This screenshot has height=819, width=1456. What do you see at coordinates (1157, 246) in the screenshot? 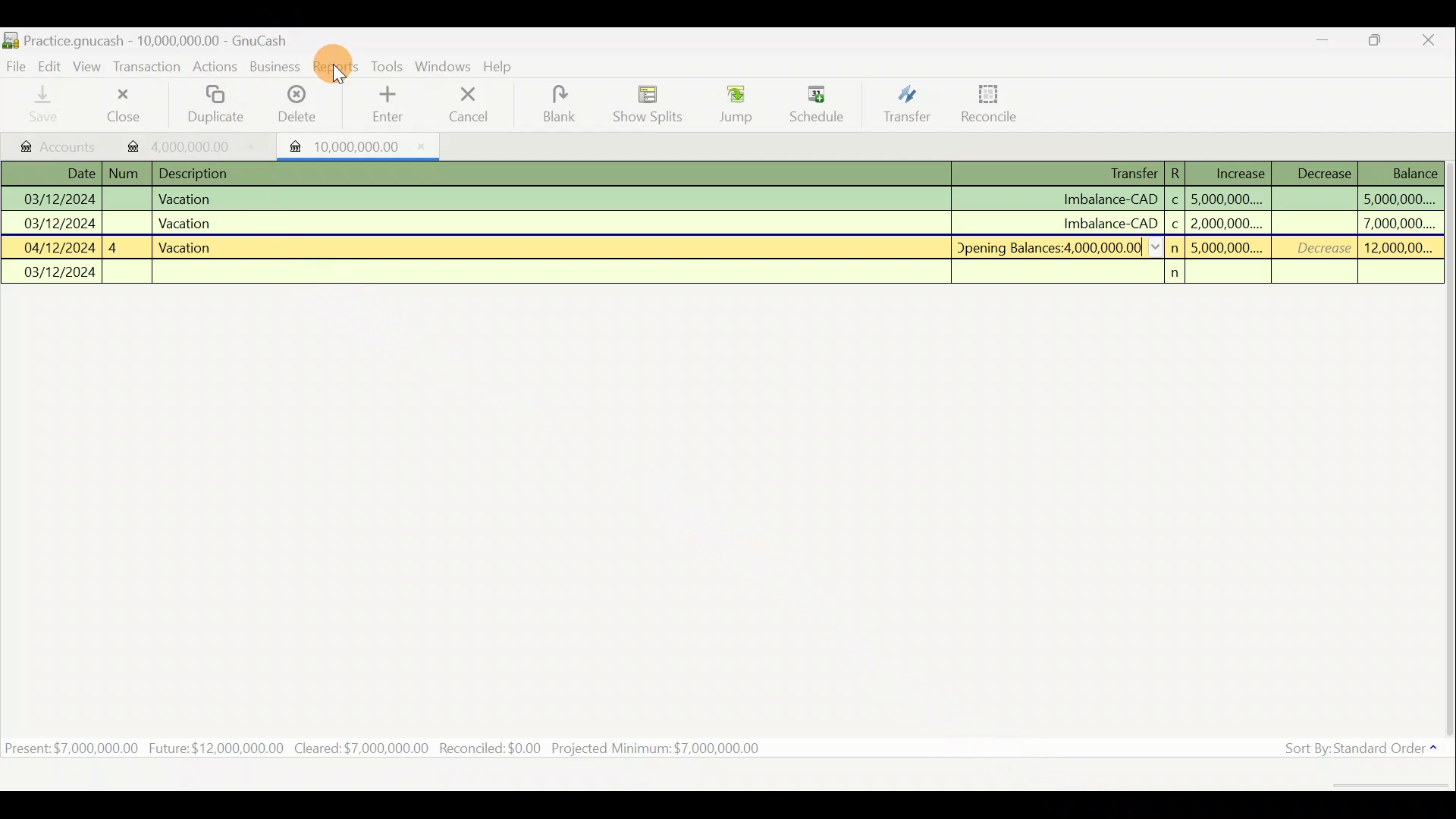
I see `collapse` at bounding box center [1157, 246].